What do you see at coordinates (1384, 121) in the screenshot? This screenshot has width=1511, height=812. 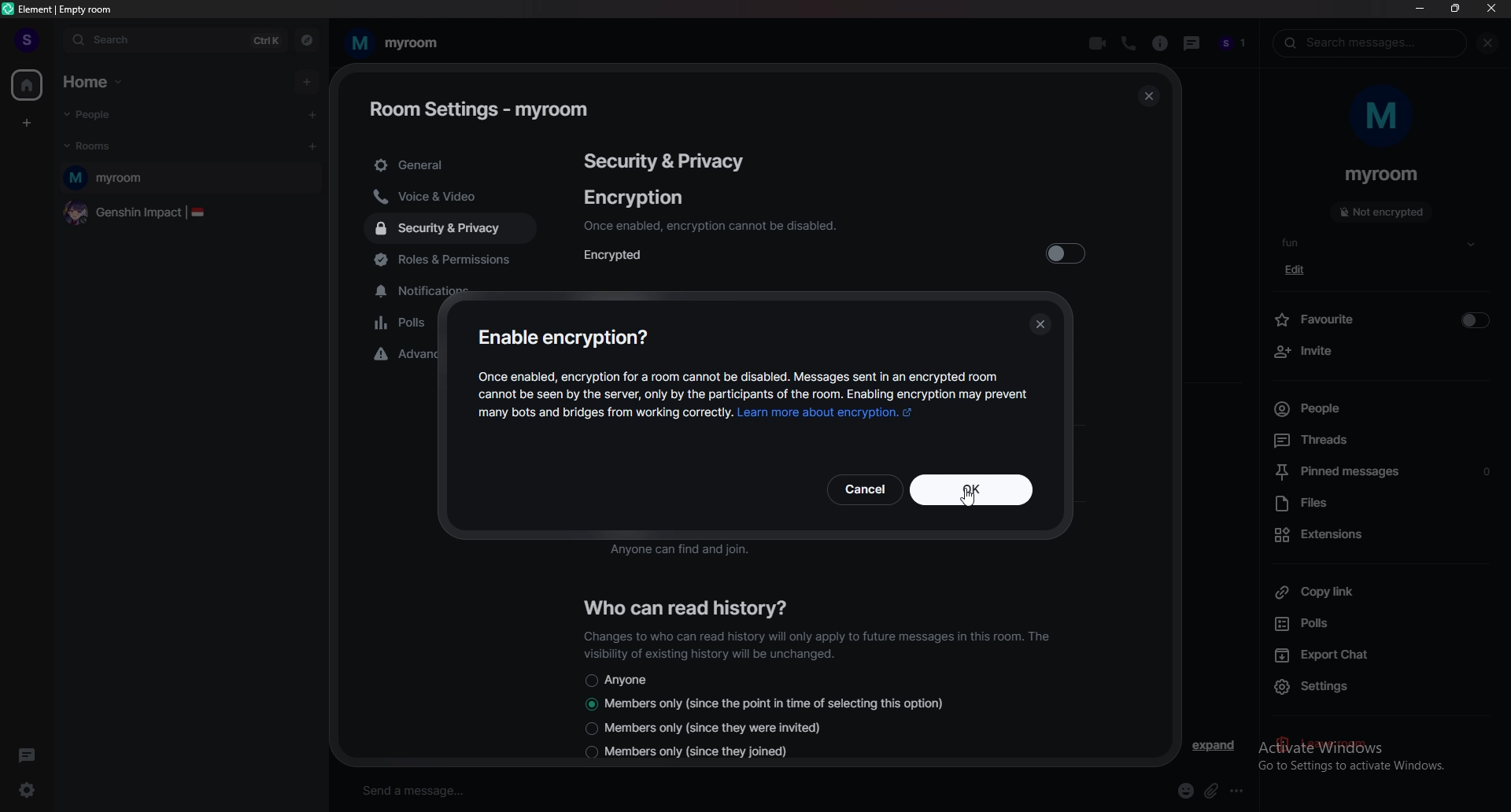 I see `m` at bounding box center [1384, 121].